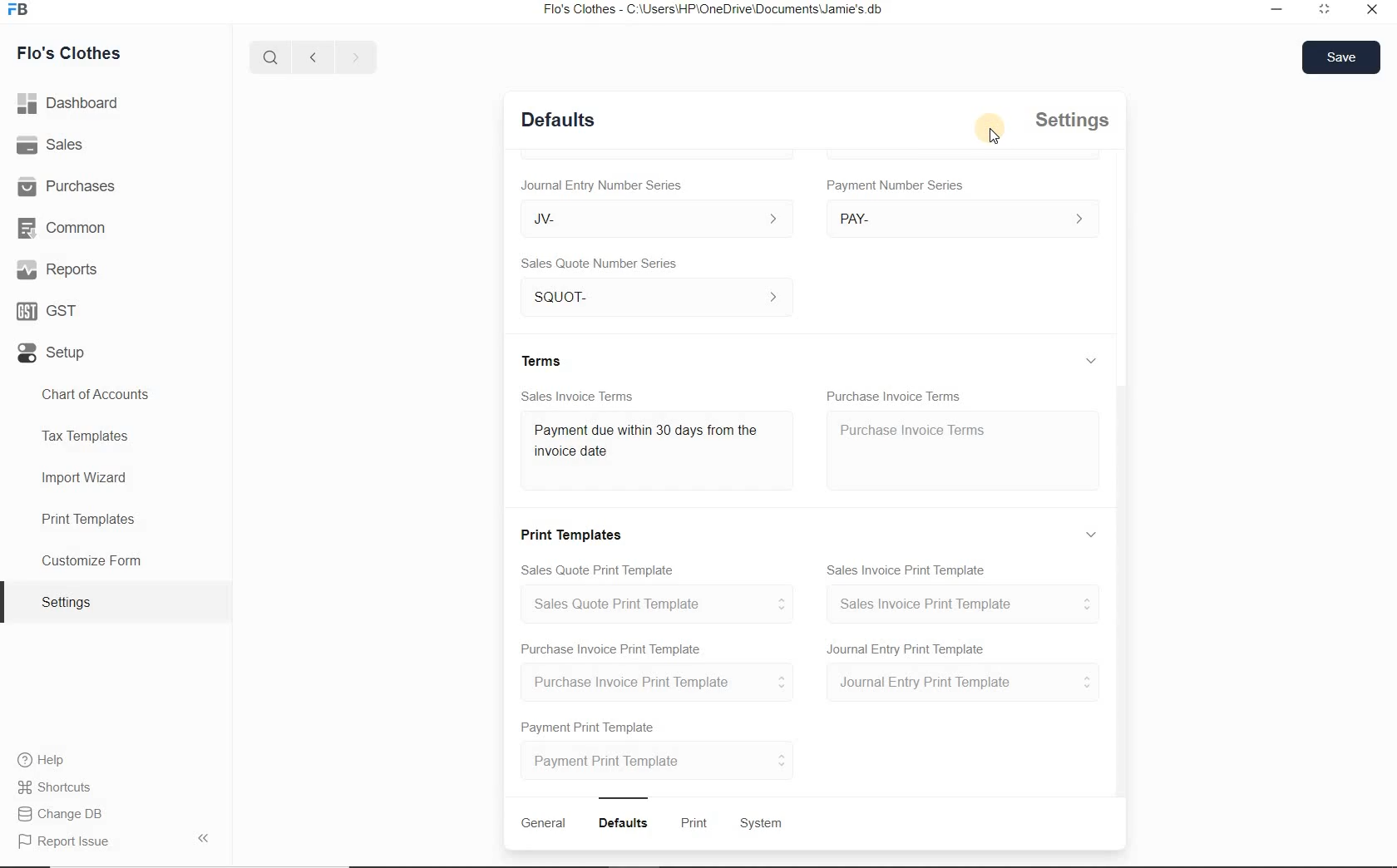 Image resolution: width=1397 pixels, height=868 pixels. Describe the element at coordinates (67, 55) in the screenshot. I see `Flo's Clothes` at that location.